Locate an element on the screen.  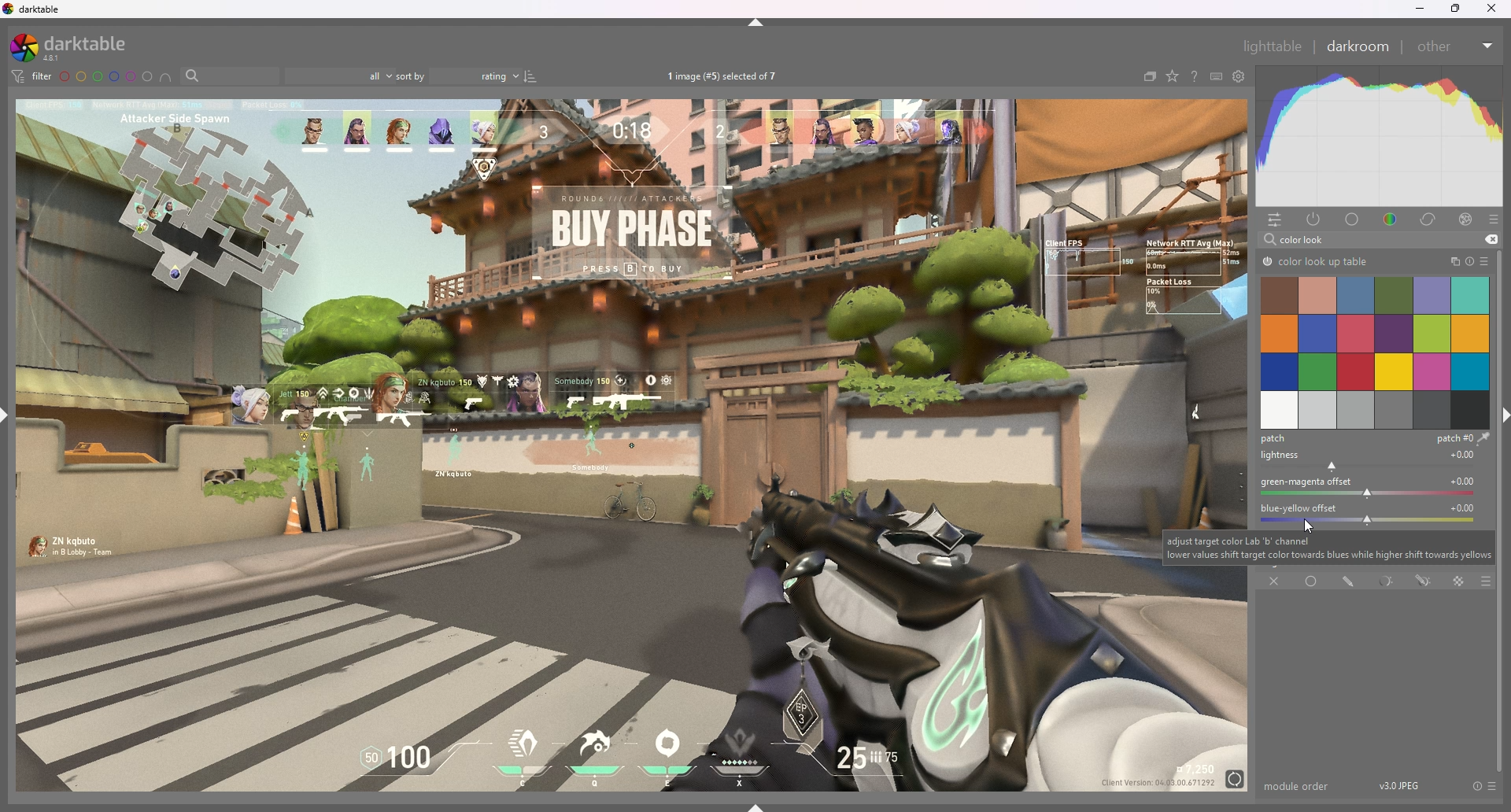
off is located at coordinates (1275, 582).